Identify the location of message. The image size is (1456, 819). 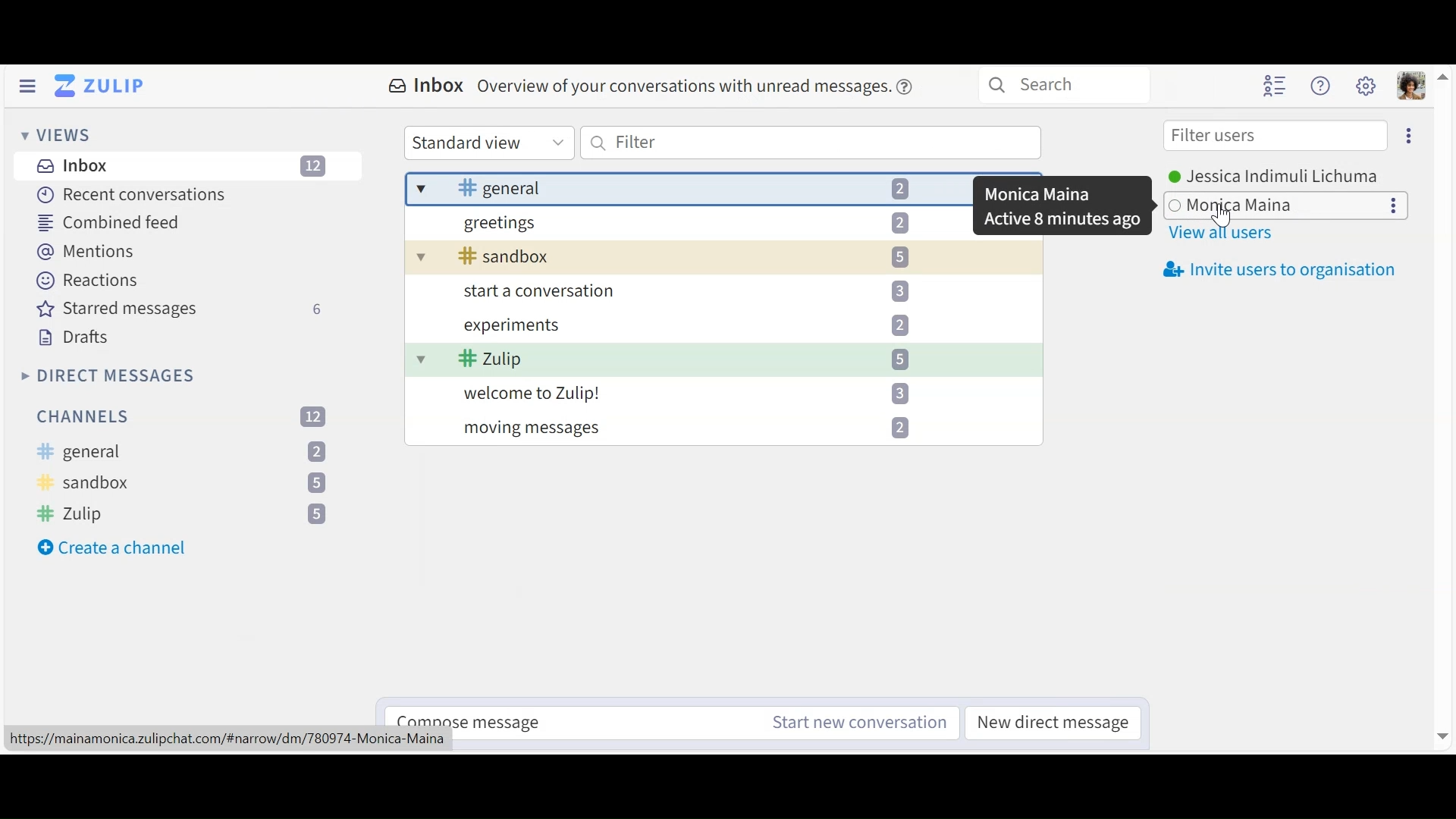
(727, 396).